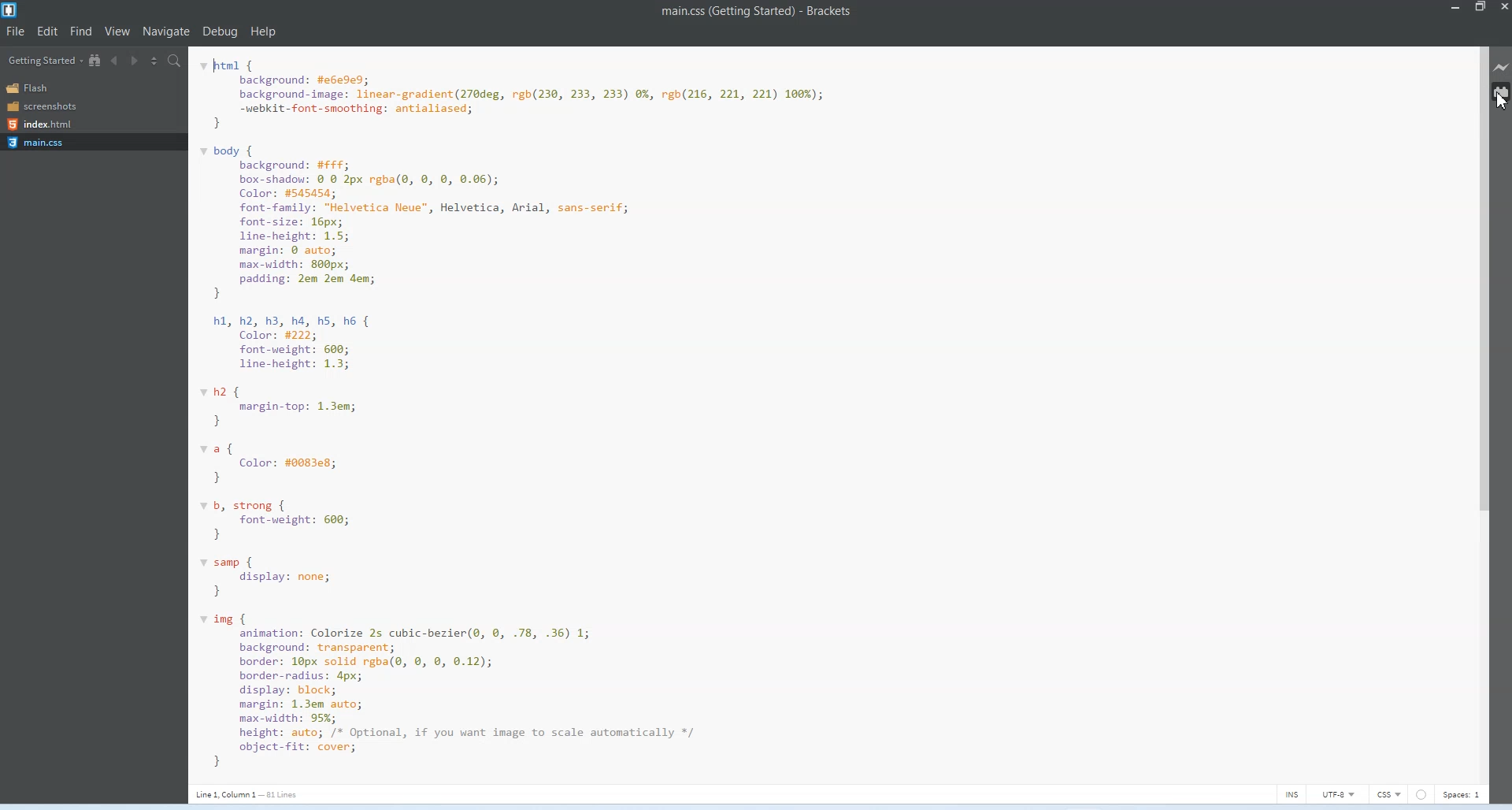 Image resolution: width=1512 pixels, height=810 pixels. Describe the element at coordinates (1502, 104) in the screenshot. I see `Cursor` at that location.